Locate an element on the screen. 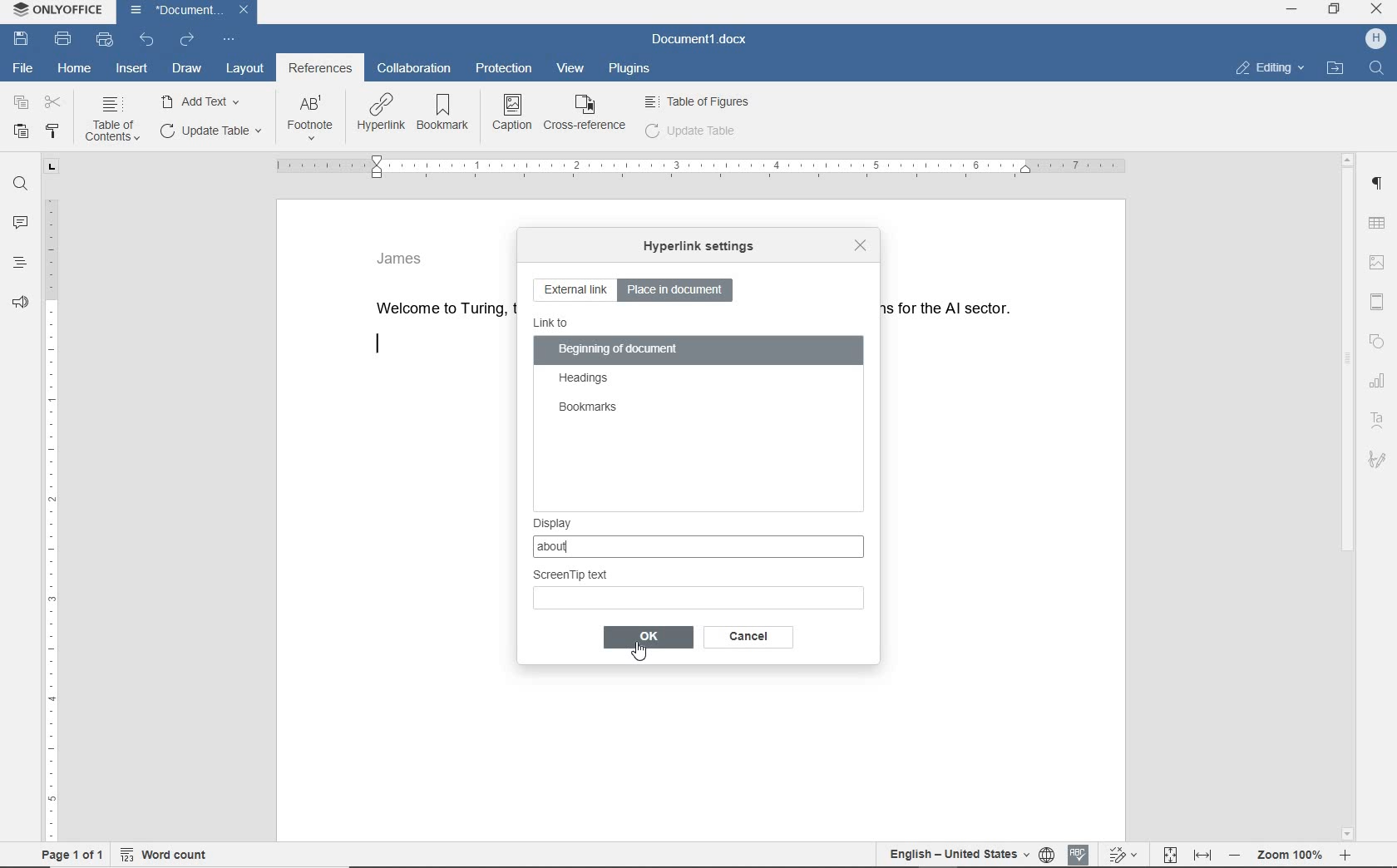  track changes is located at coordinates (1124, 855).